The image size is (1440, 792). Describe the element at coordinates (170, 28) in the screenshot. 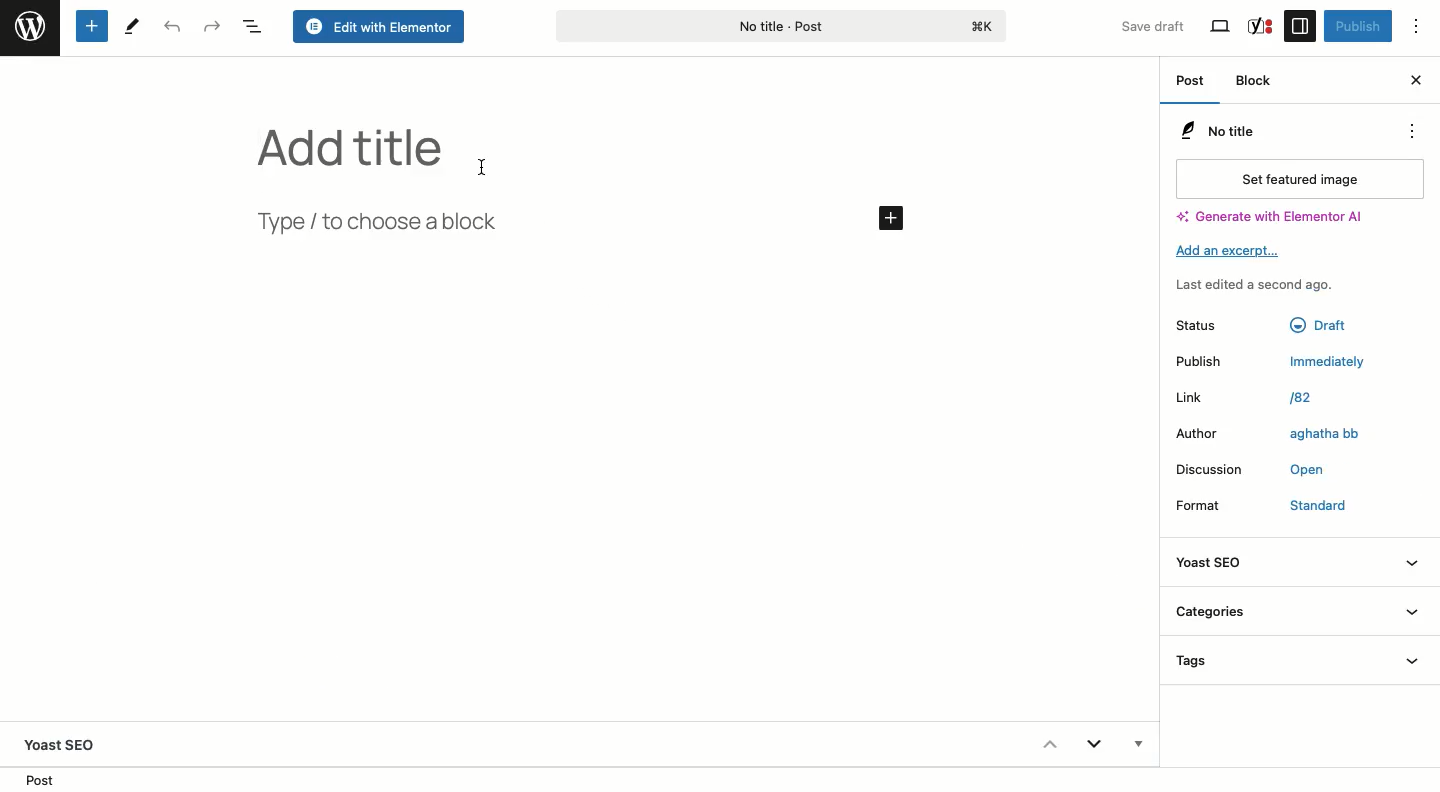

I see `Undo` at that location.